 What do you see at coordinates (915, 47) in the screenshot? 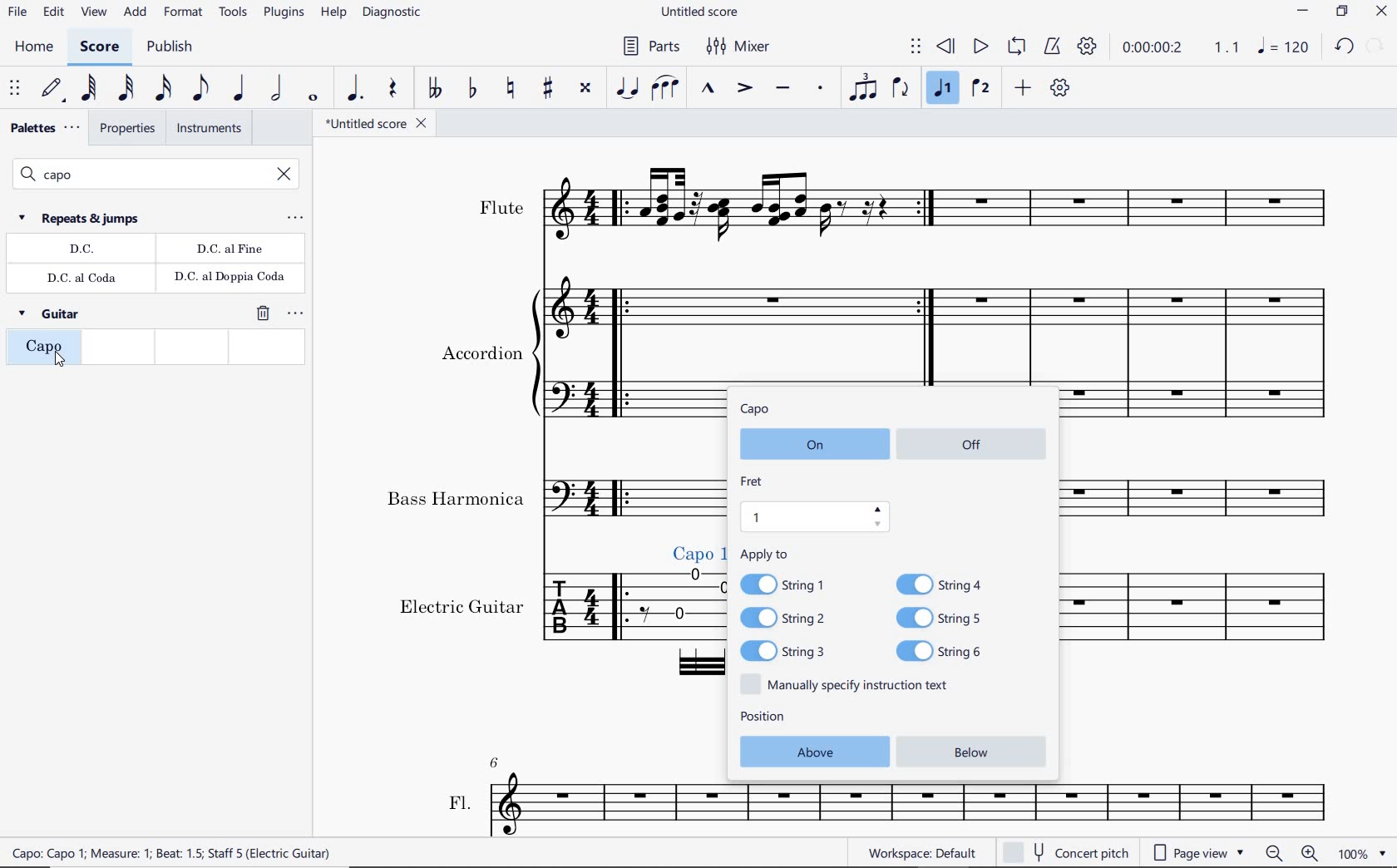
I see `select to move` at bounding box center [915, 47].